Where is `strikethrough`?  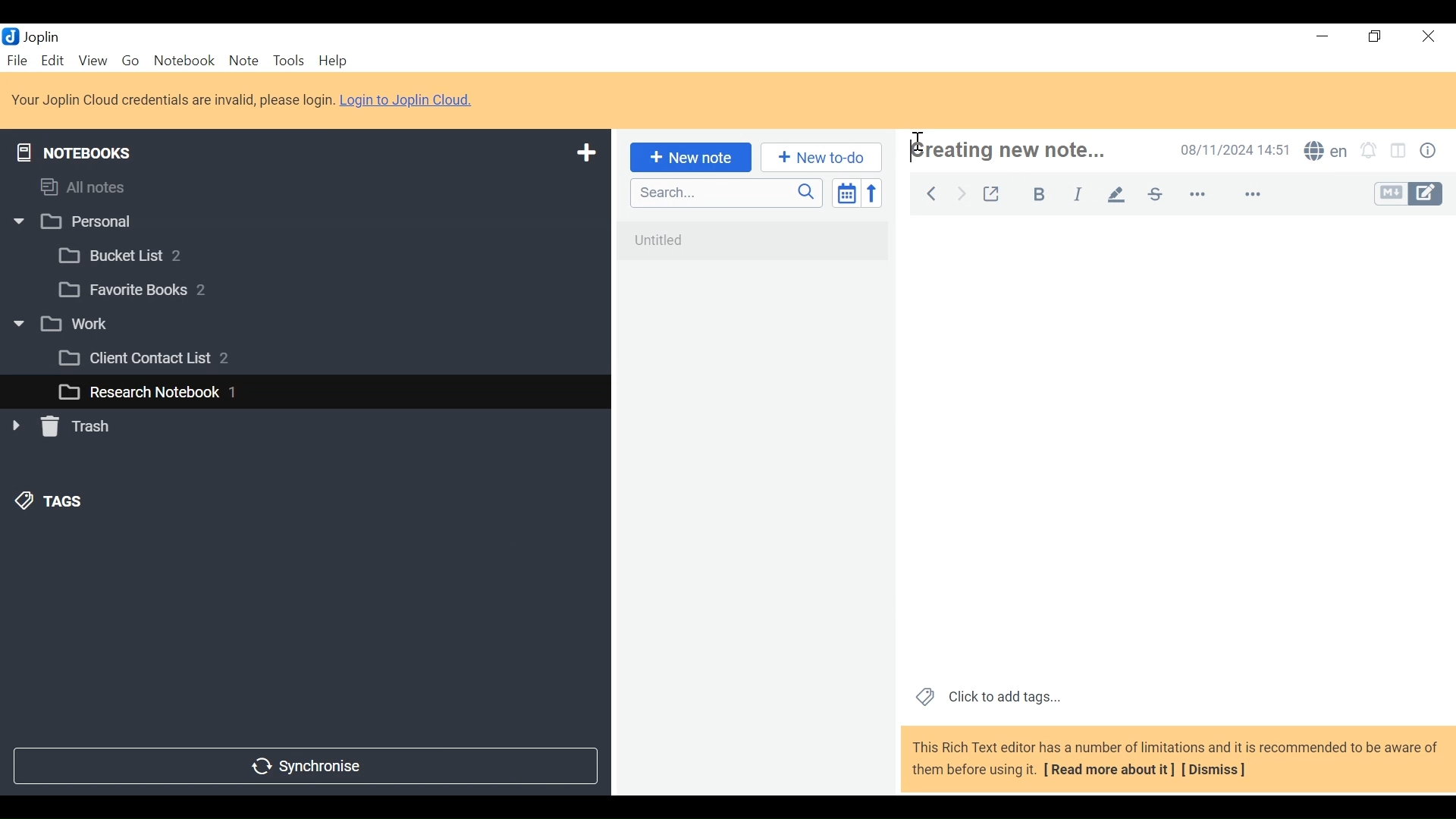
strikethrough is located at coordinates (1154, 193).